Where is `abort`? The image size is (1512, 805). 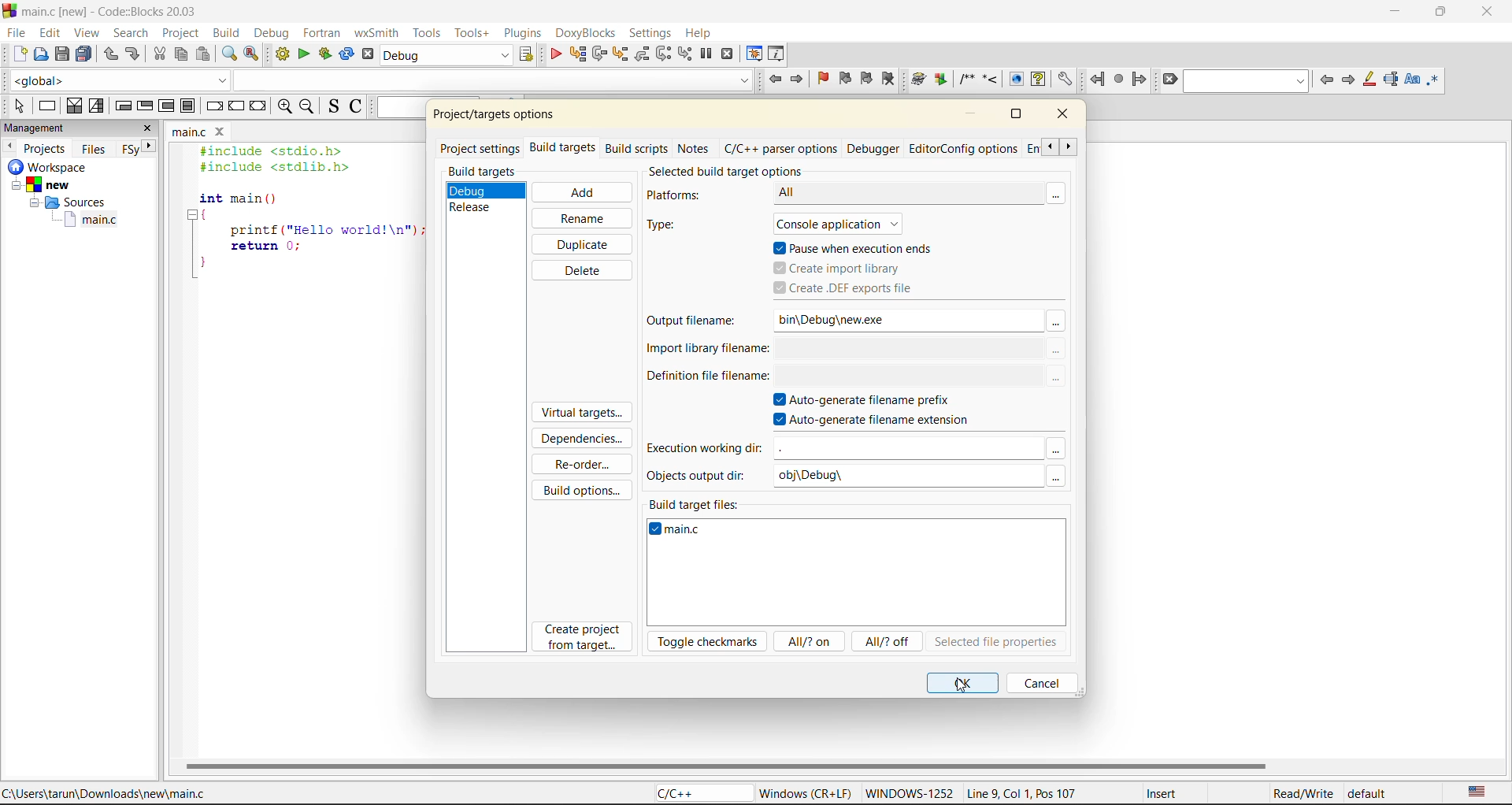
abort is located at coordinates (367, 55).